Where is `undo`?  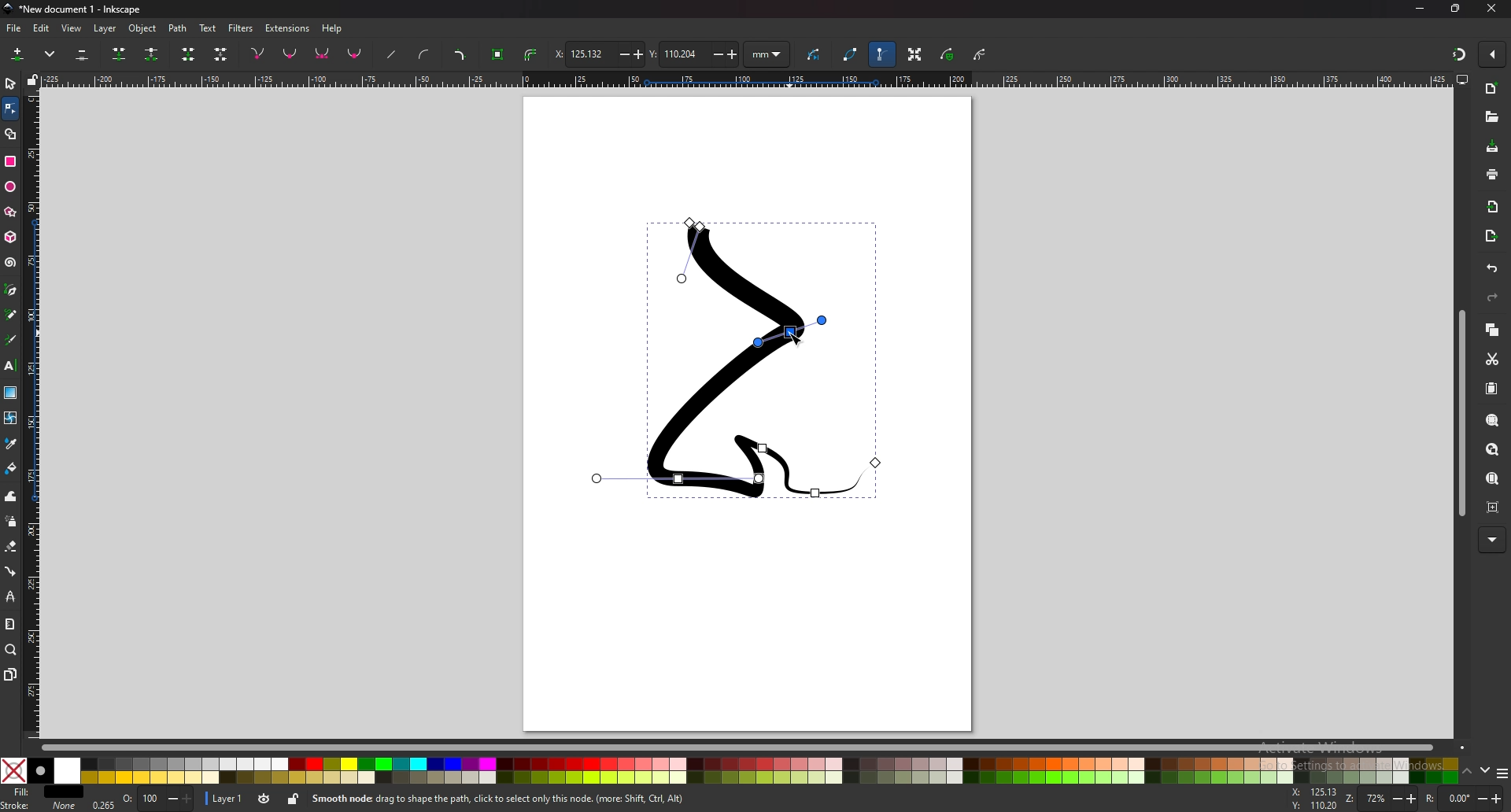 undo is located at coordinates (1489, 269).